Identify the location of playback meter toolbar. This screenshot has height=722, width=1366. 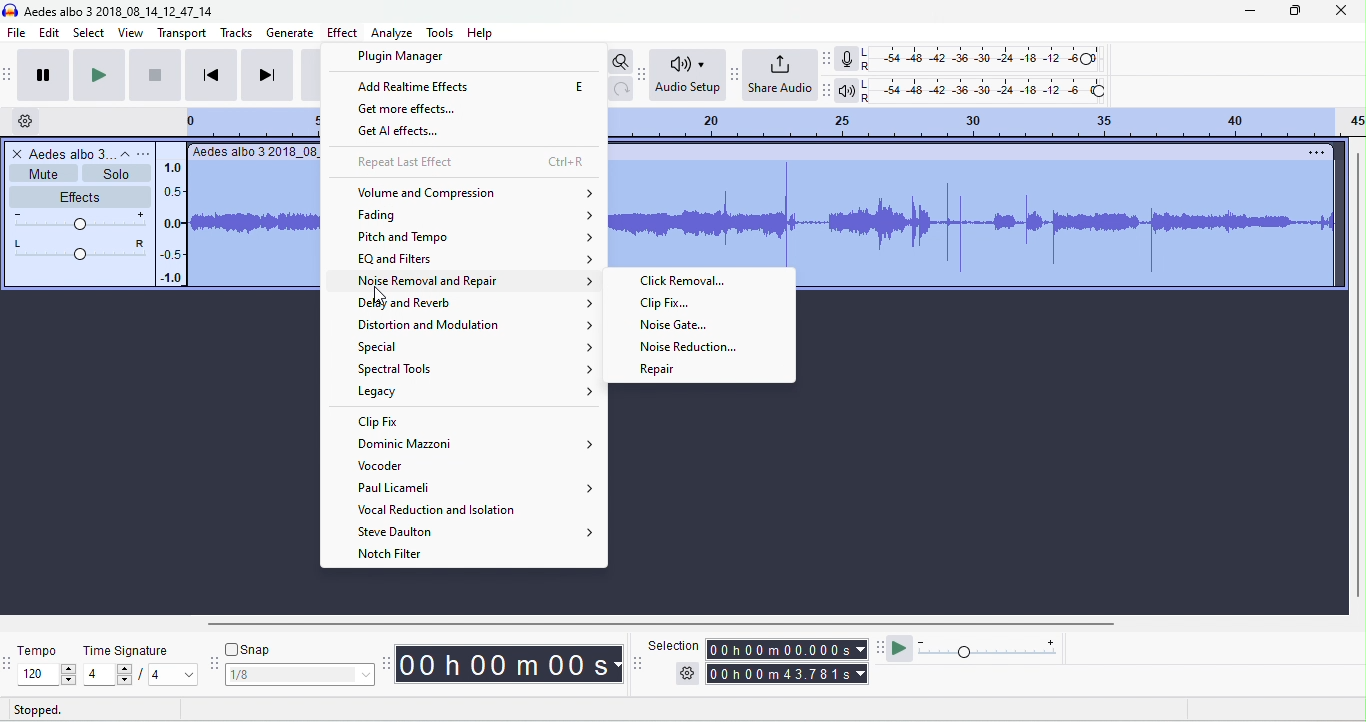
(830, 91).